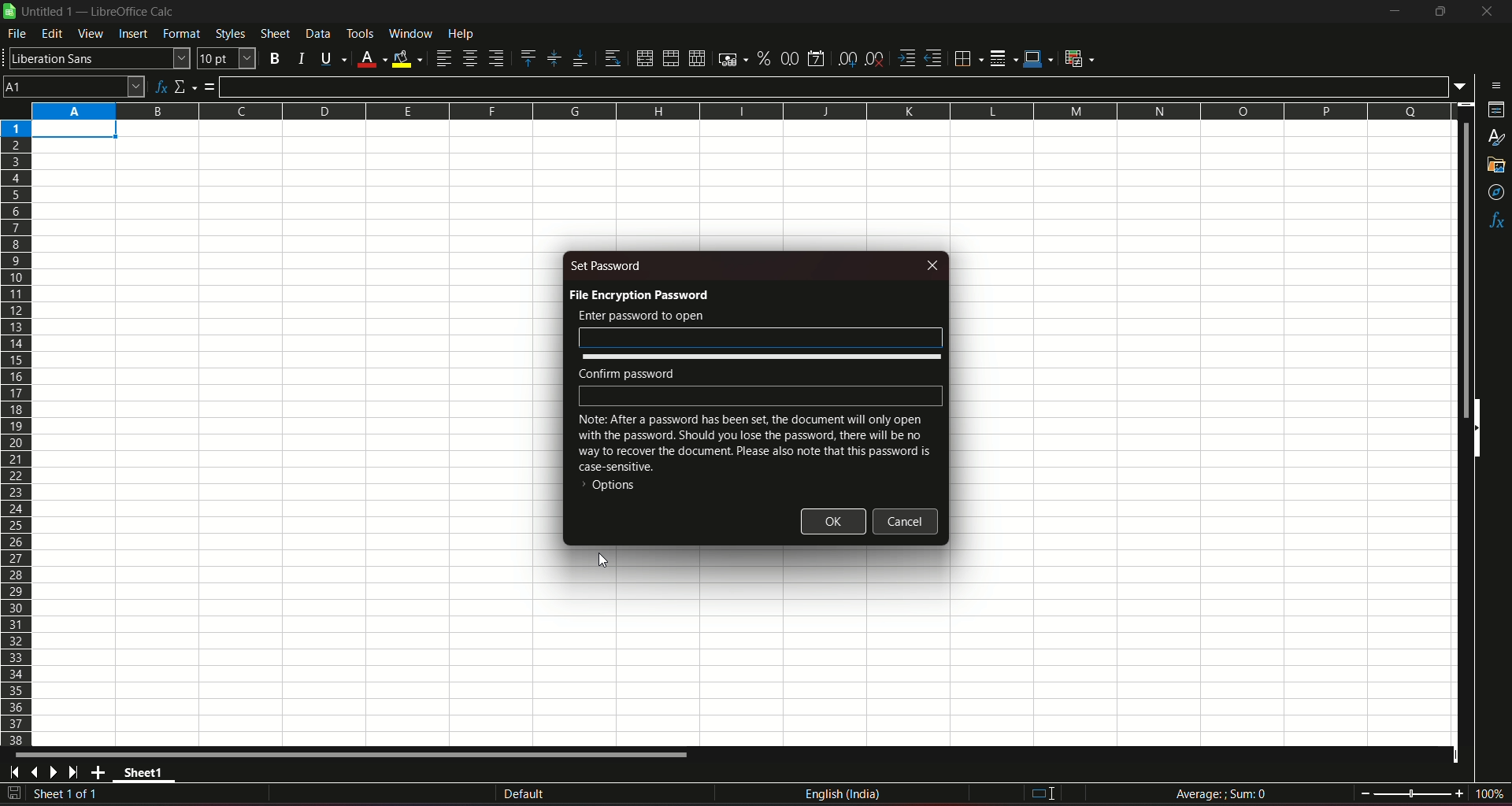  Describe the element at coordinates (1440, 12) in the screenshot. I see `maximize` at that location.